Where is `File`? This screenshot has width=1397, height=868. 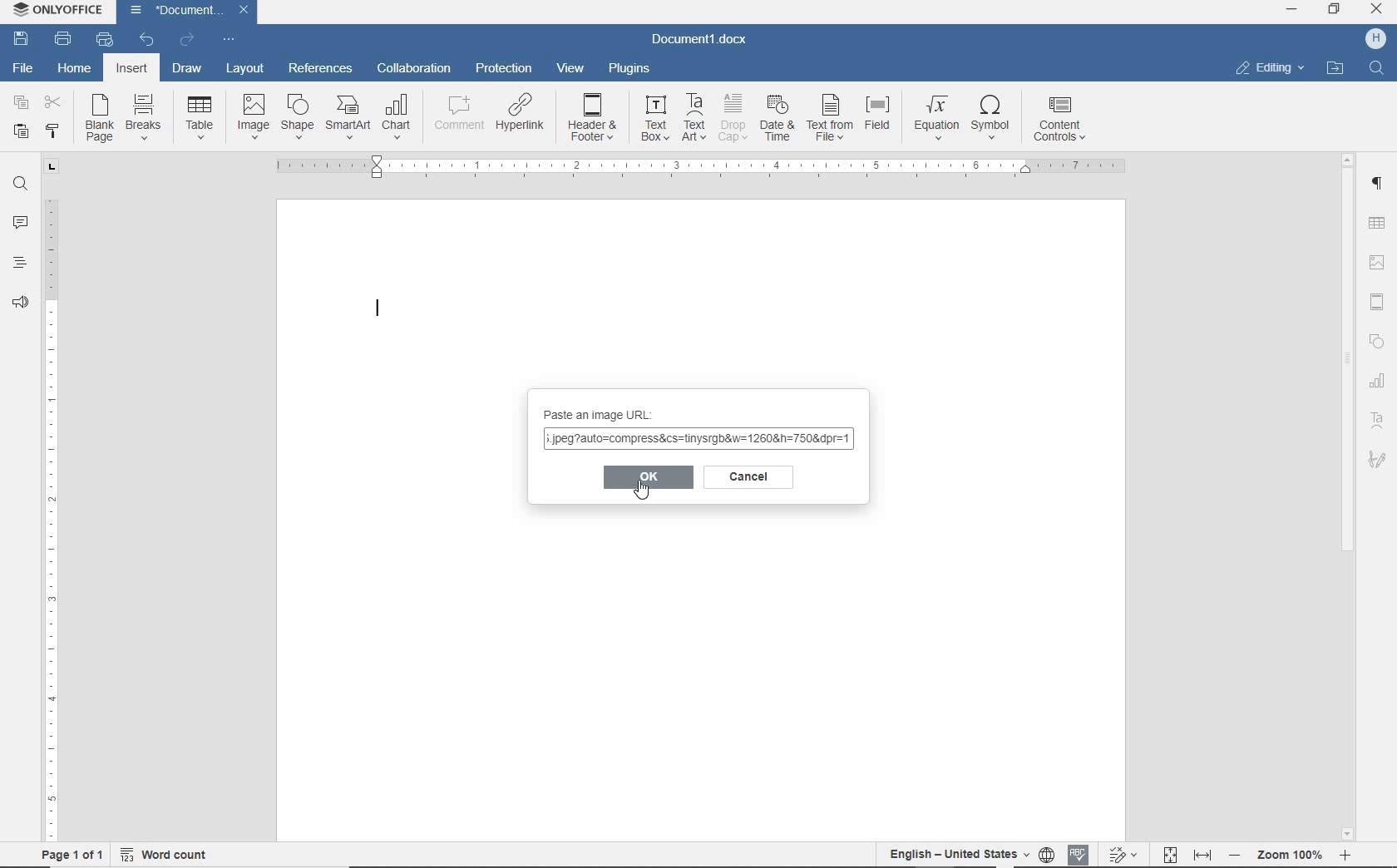 File is located at coordinates (23, 67).